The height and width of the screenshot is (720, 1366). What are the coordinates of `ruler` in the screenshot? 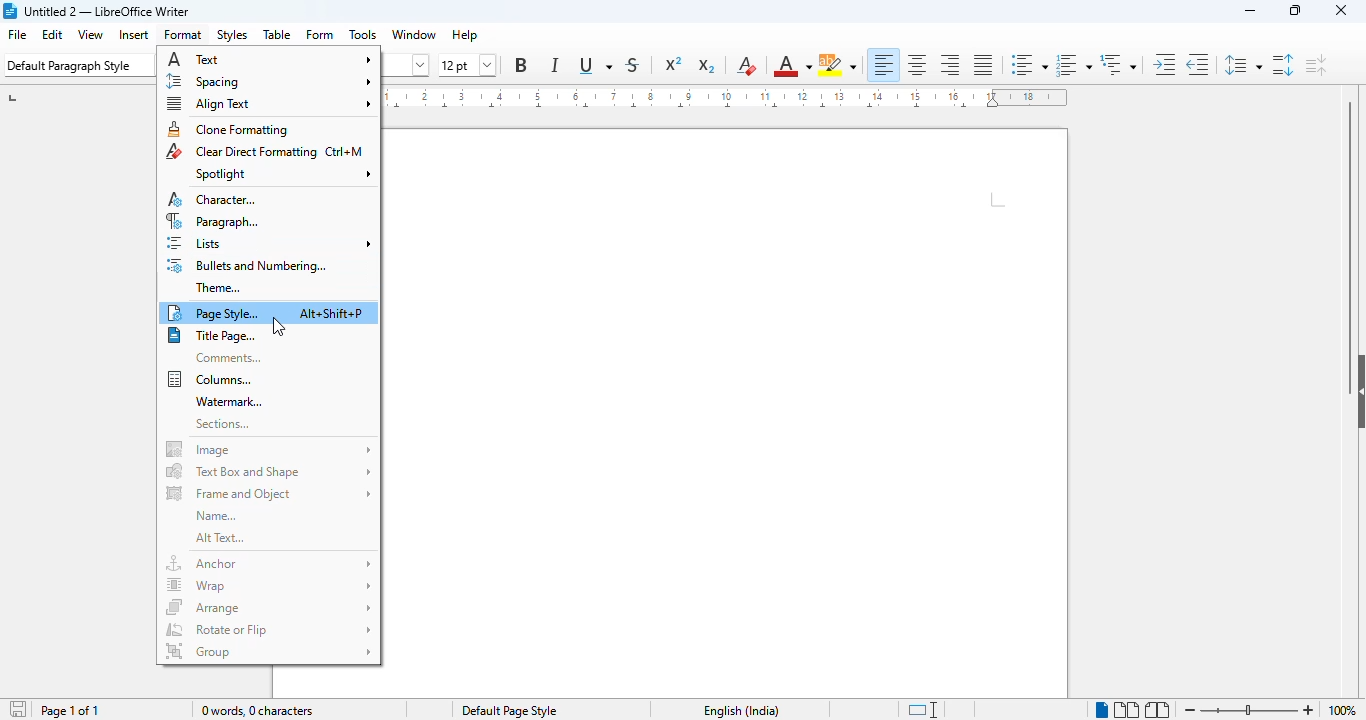 It's located at (733, 100).